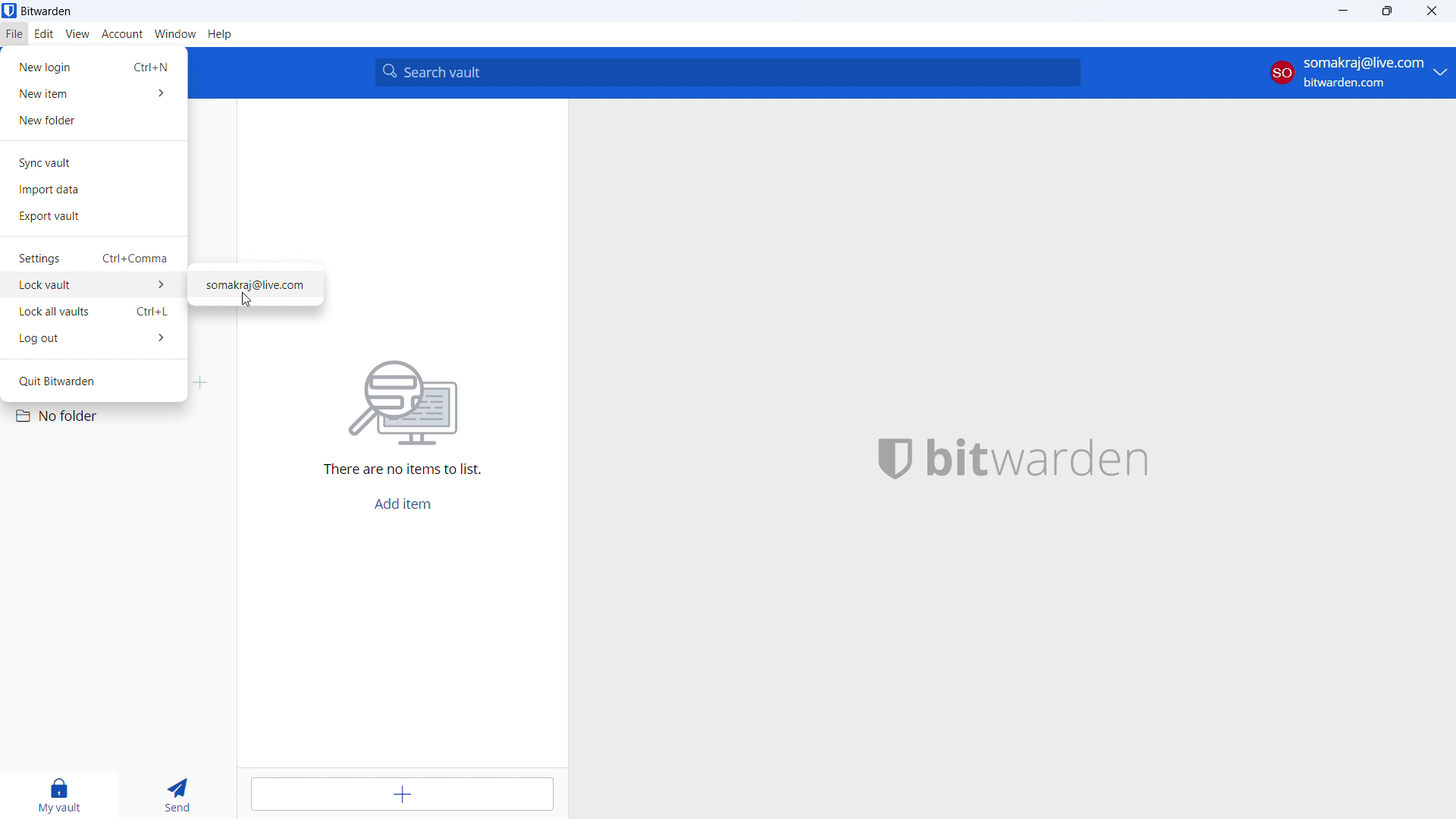 This screenshot has width=1456, height=819. What do you see at coordinates (402, 795) in the screenshot?
I see `add` at bounding box center [402, 795].